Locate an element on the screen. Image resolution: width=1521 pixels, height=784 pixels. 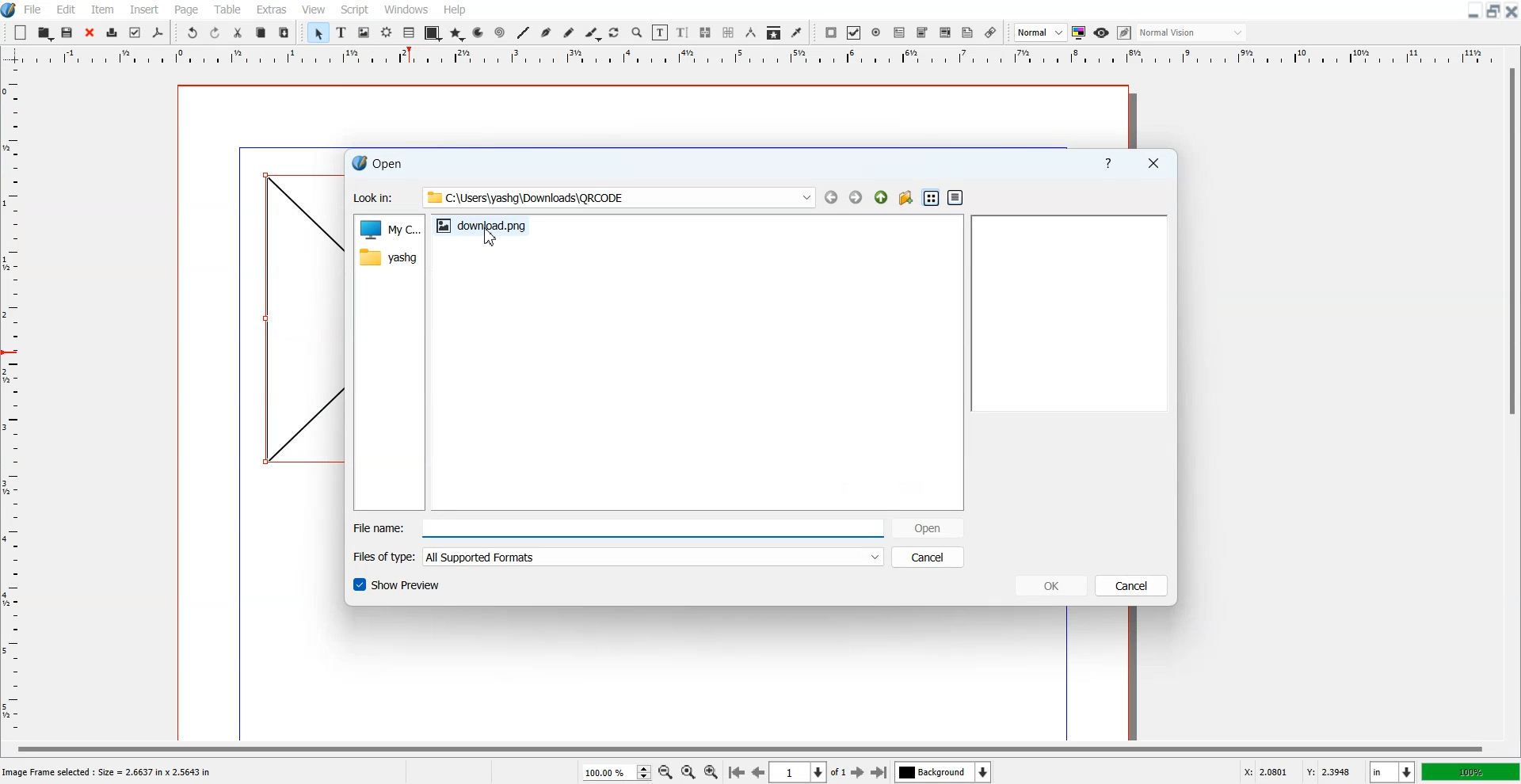
Zoom In is located at coordinates (712, 771).